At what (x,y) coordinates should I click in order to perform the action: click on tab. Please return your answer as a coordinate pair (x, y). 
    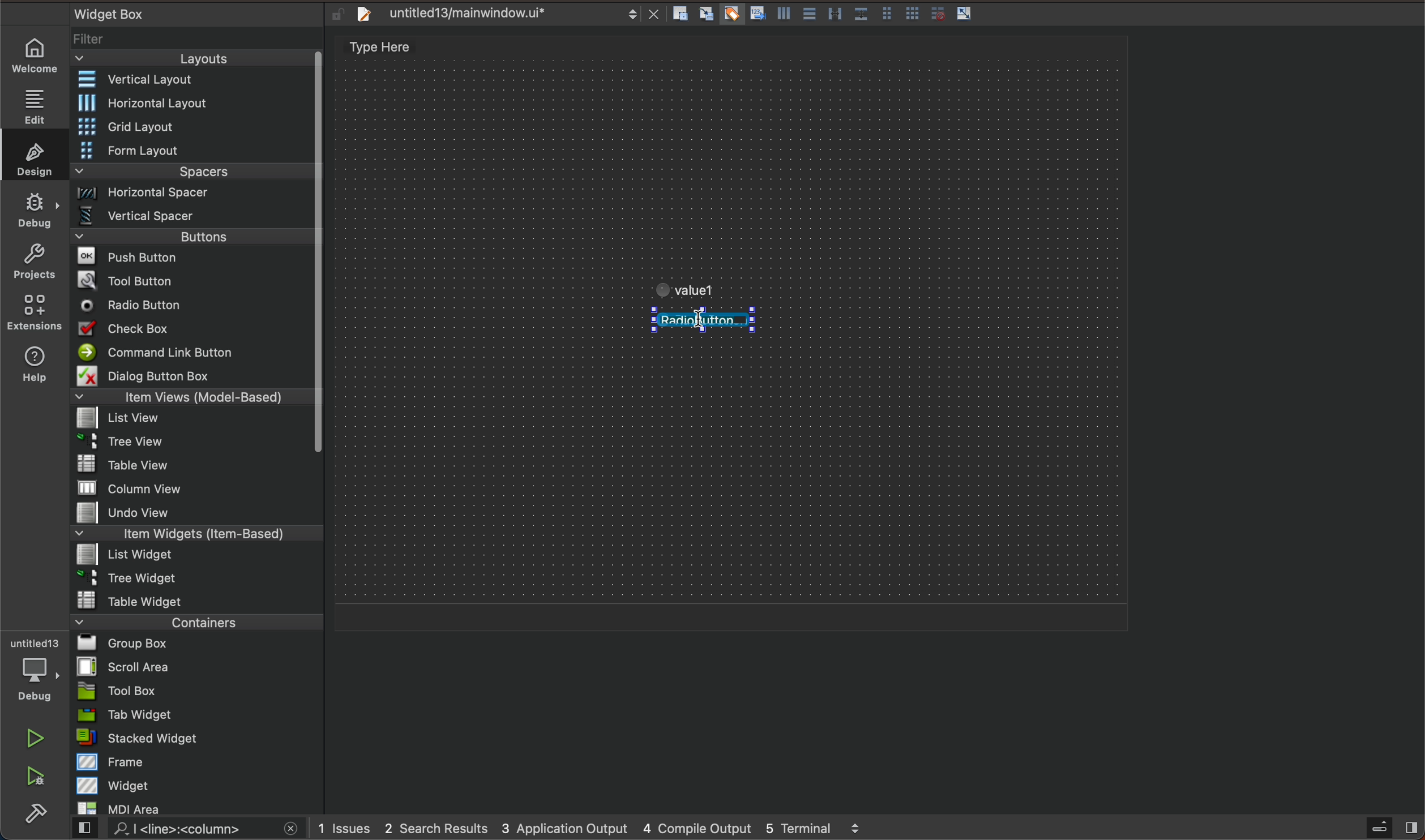
    Looking at the image, I should click on (199, 714).